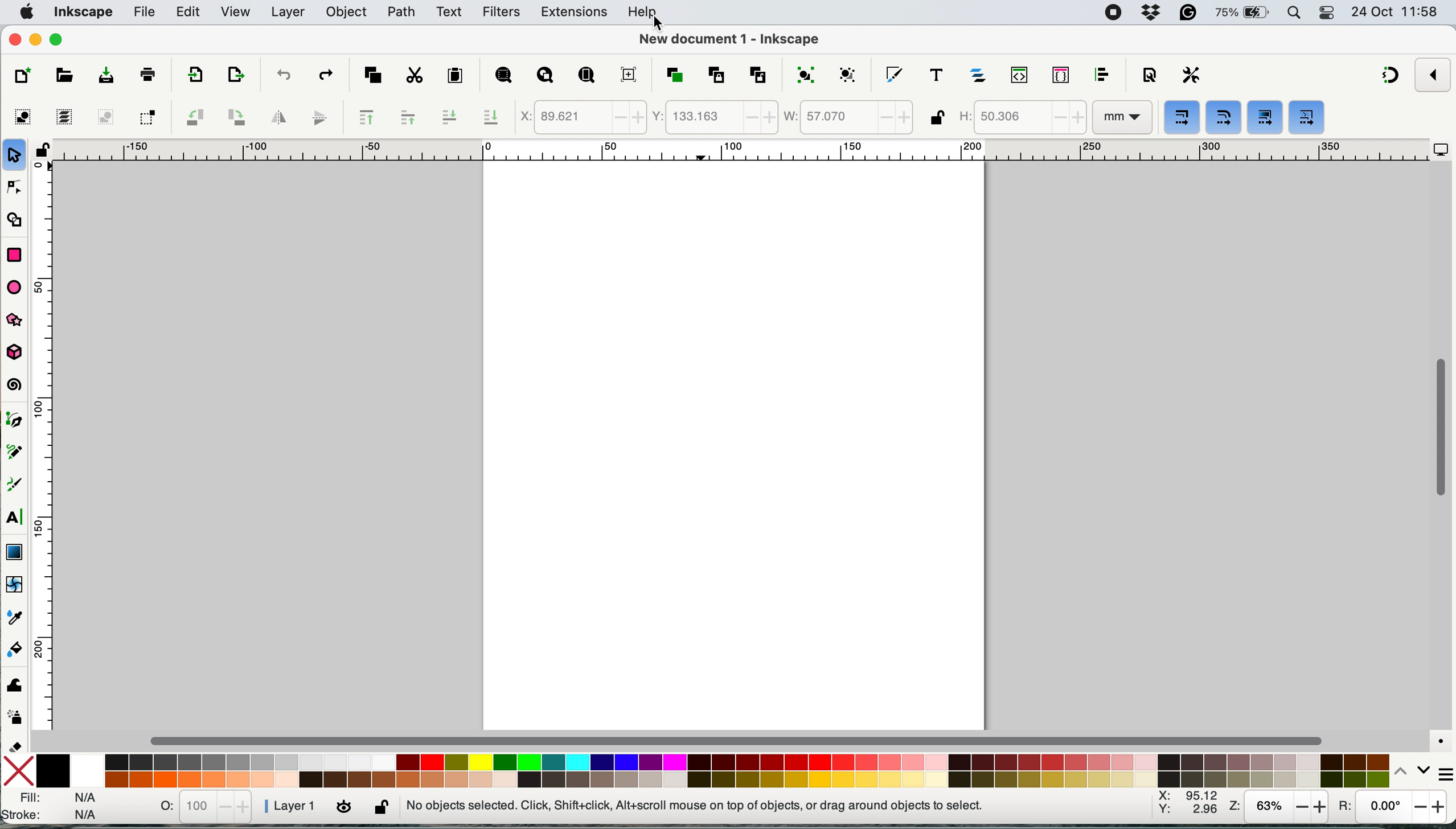  I want to click on New document 1 - Inkscape, so click(731, 42).